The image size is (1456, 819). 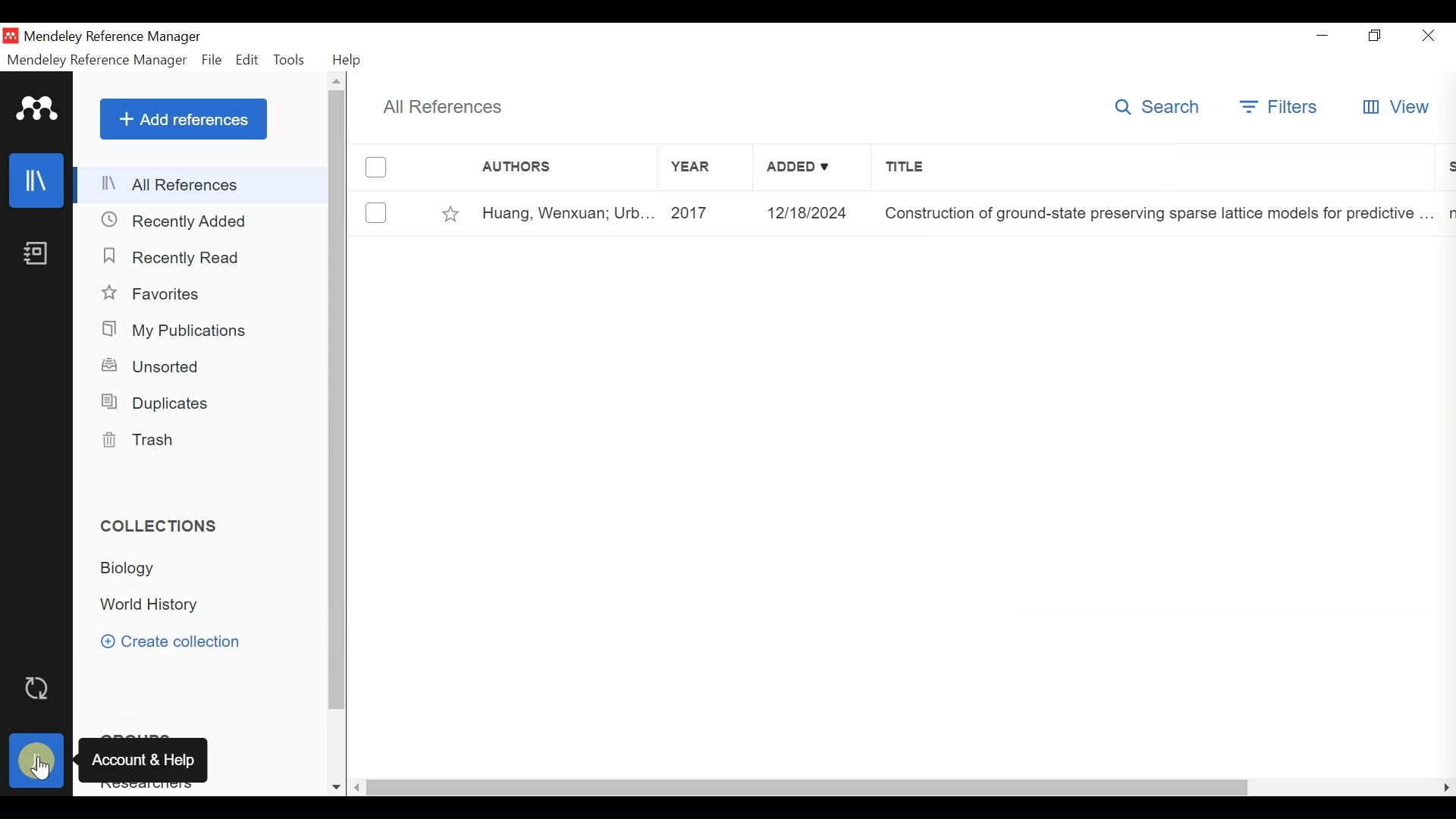 What do you see at coordinates (1321, 36) in the screenshot?
I see `minimize` at bounding box center [1321, 36].